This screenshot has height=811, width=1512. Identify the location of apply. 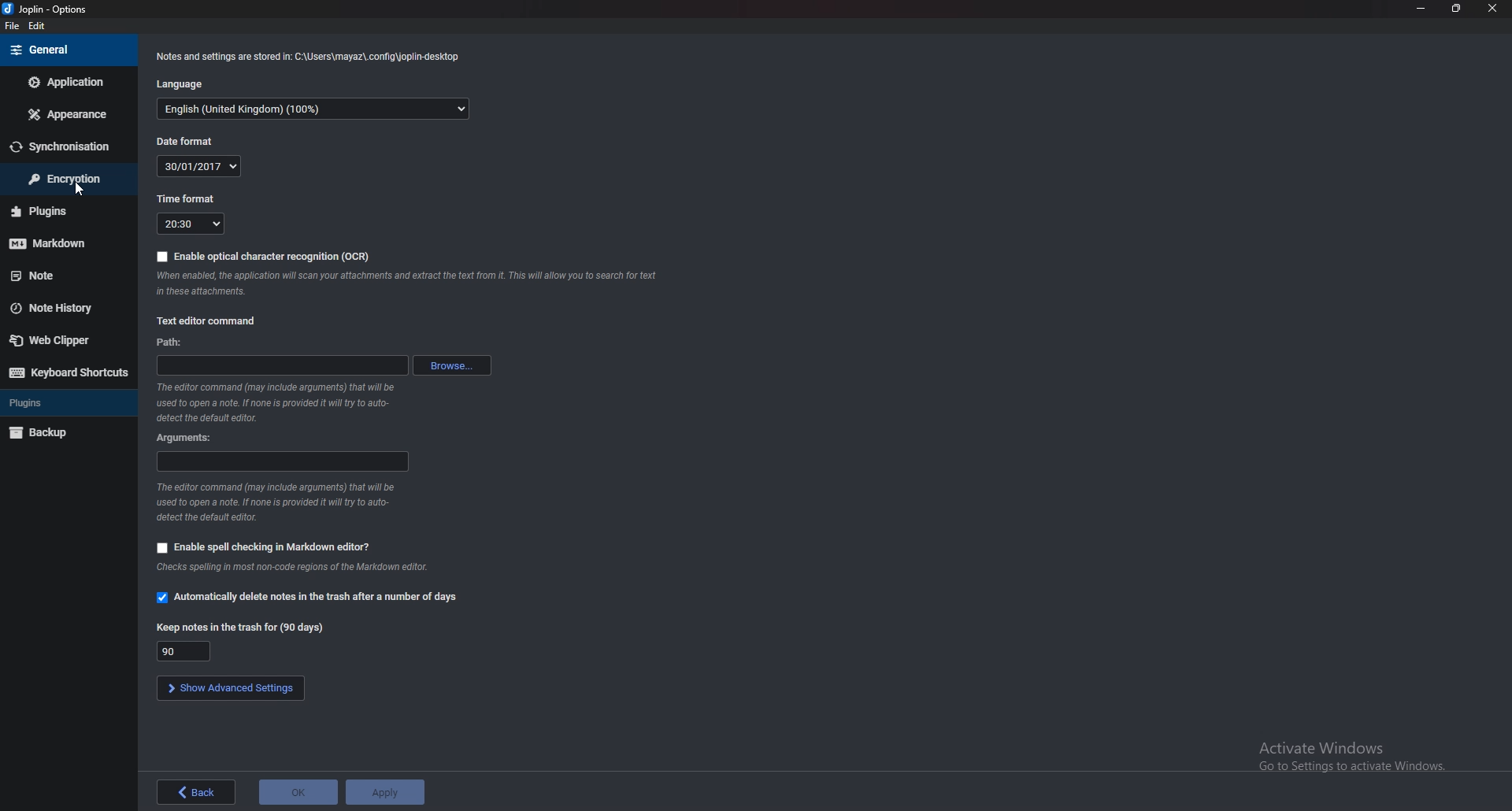
(384, 791).